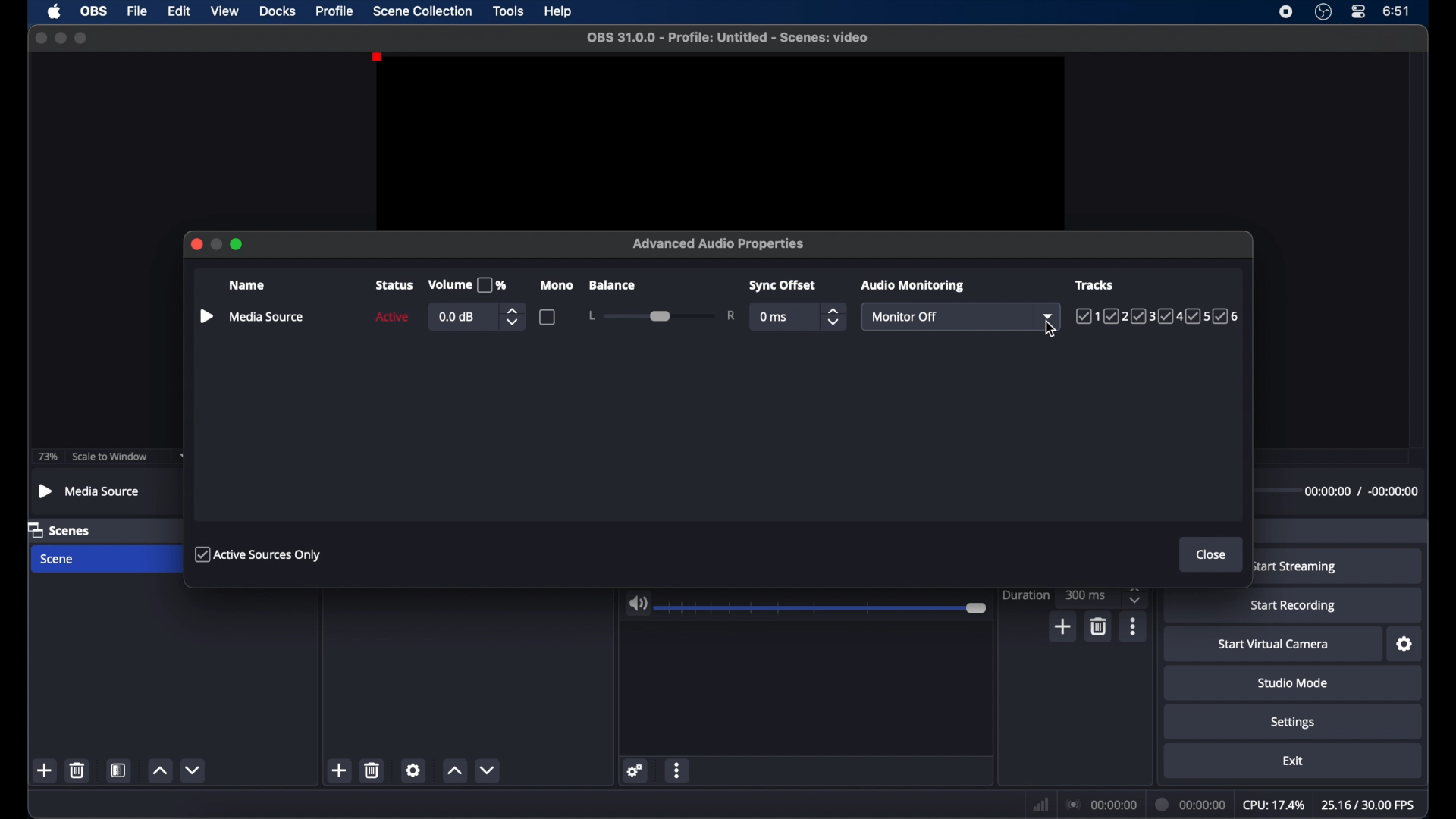  What do you see at coordinates (834, 317) in the screenshot?
I see `stepper buttons` at bounding box center [834, 317].